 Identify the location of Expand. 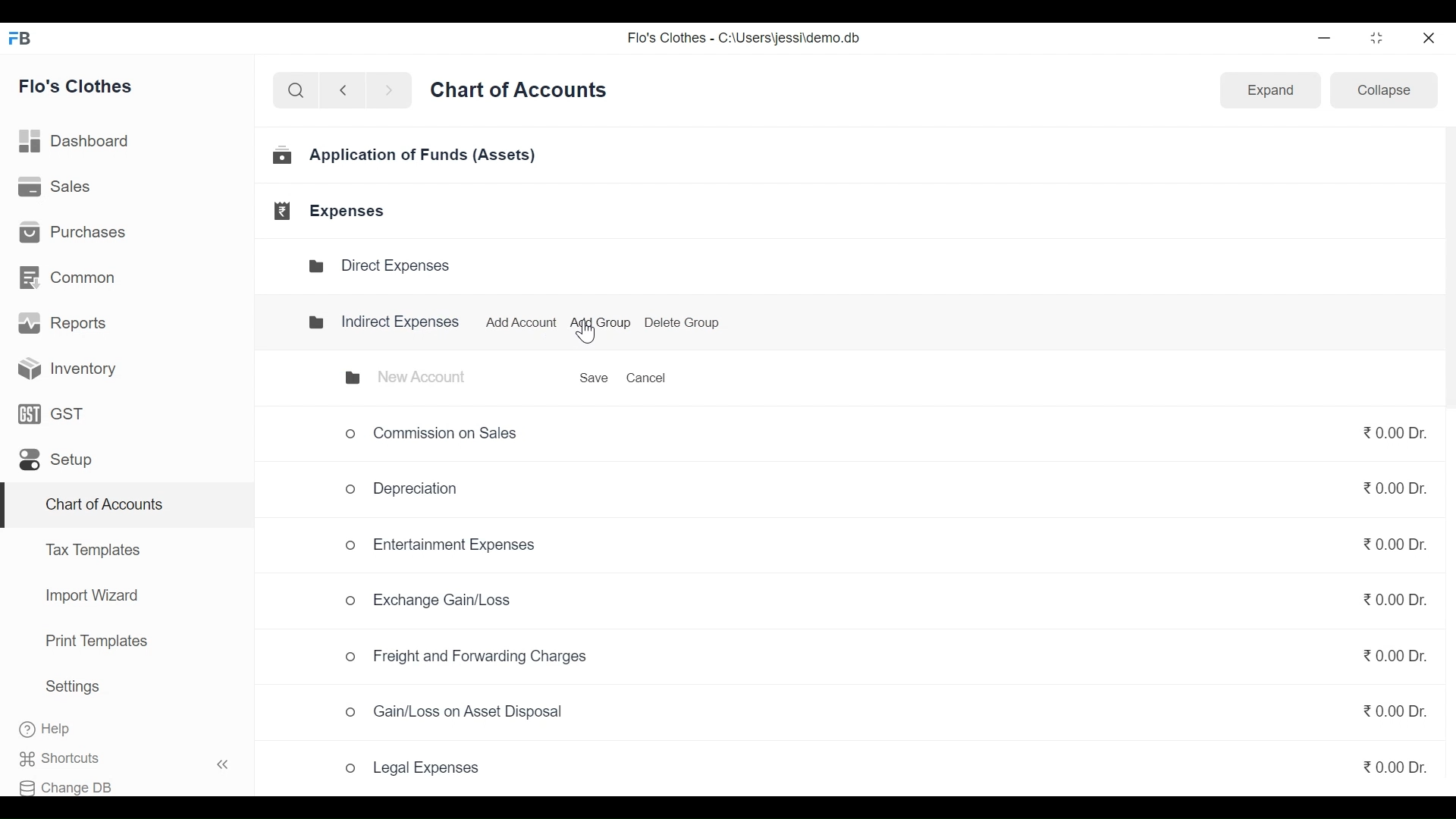
(1271, 91).